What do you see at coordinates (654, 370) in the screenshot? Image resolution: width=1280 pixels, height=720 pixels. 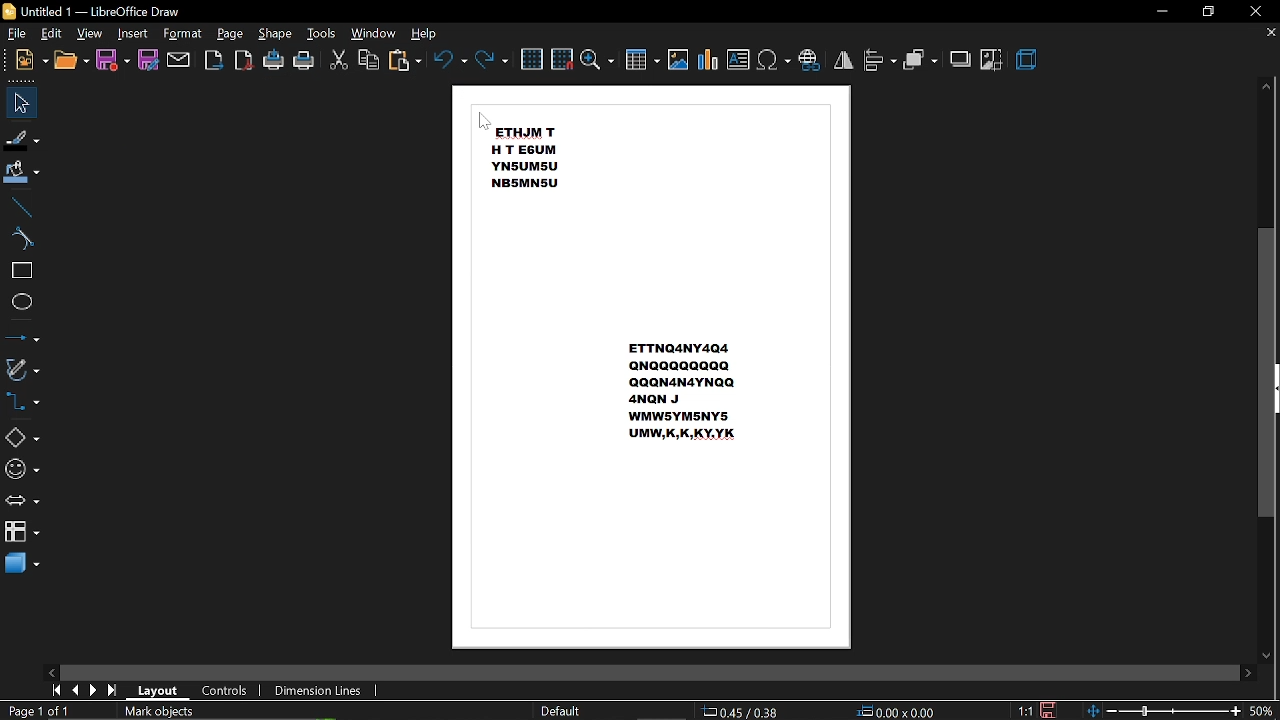 I see `Canvas` at bounding box center [654, 370].